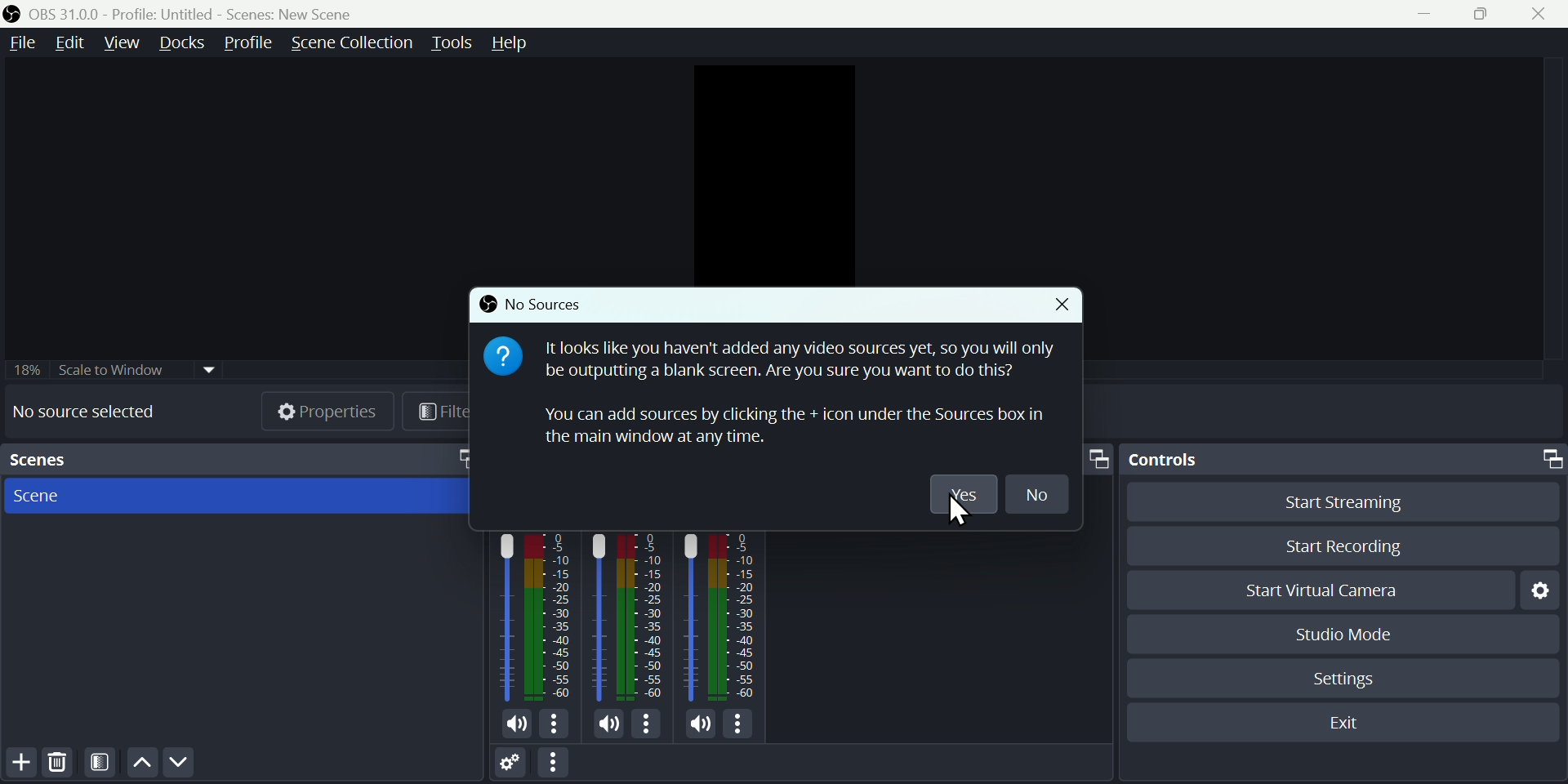 This screenshot has height=784, width=1568. What do you see at coordinates (628, 635) in the screenshot?
I see `Audiobar` at bounding box center [628, 635].